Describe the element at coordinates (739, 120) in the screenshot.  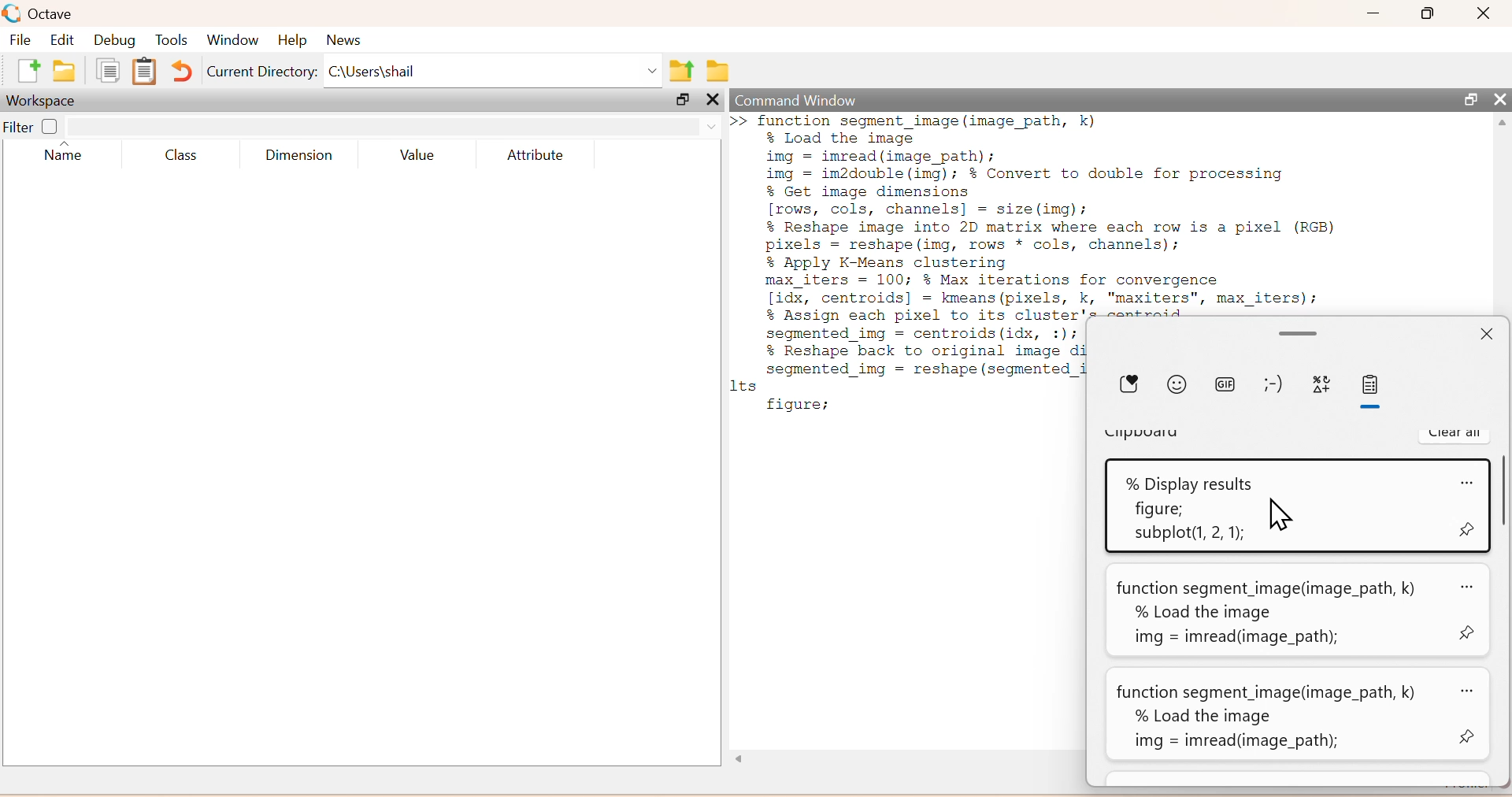
I see `new line` at that location.